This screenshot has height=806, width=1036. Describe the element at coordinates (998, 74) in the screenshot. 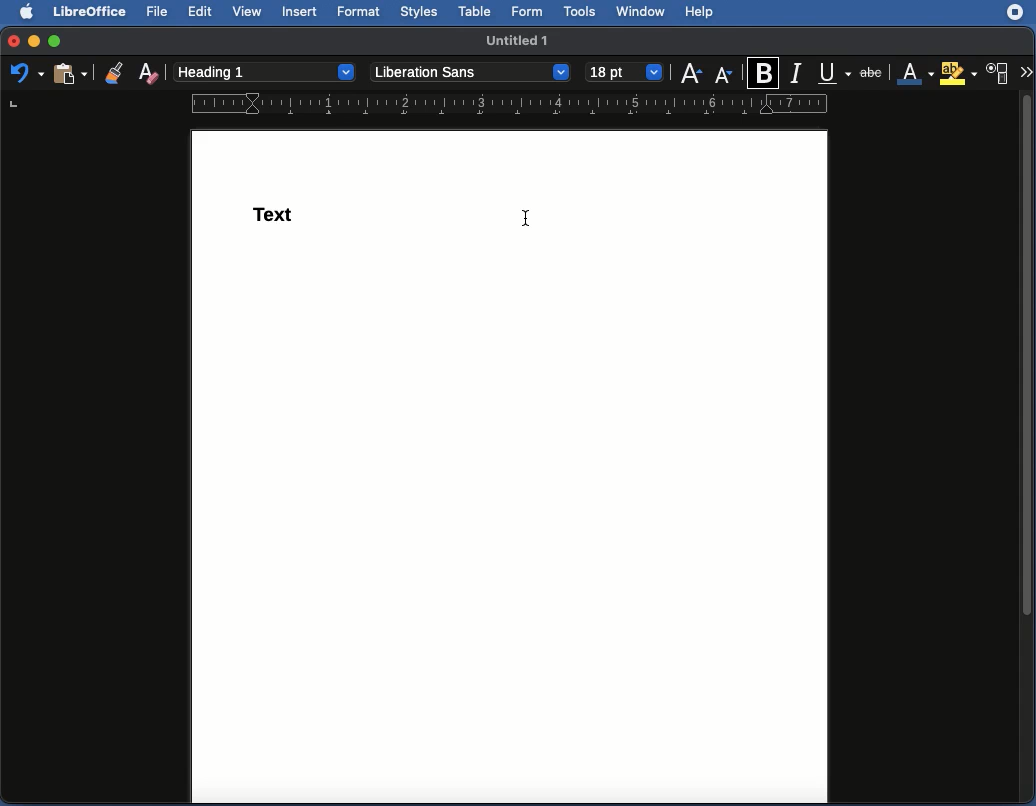

I see `Character` at that location.